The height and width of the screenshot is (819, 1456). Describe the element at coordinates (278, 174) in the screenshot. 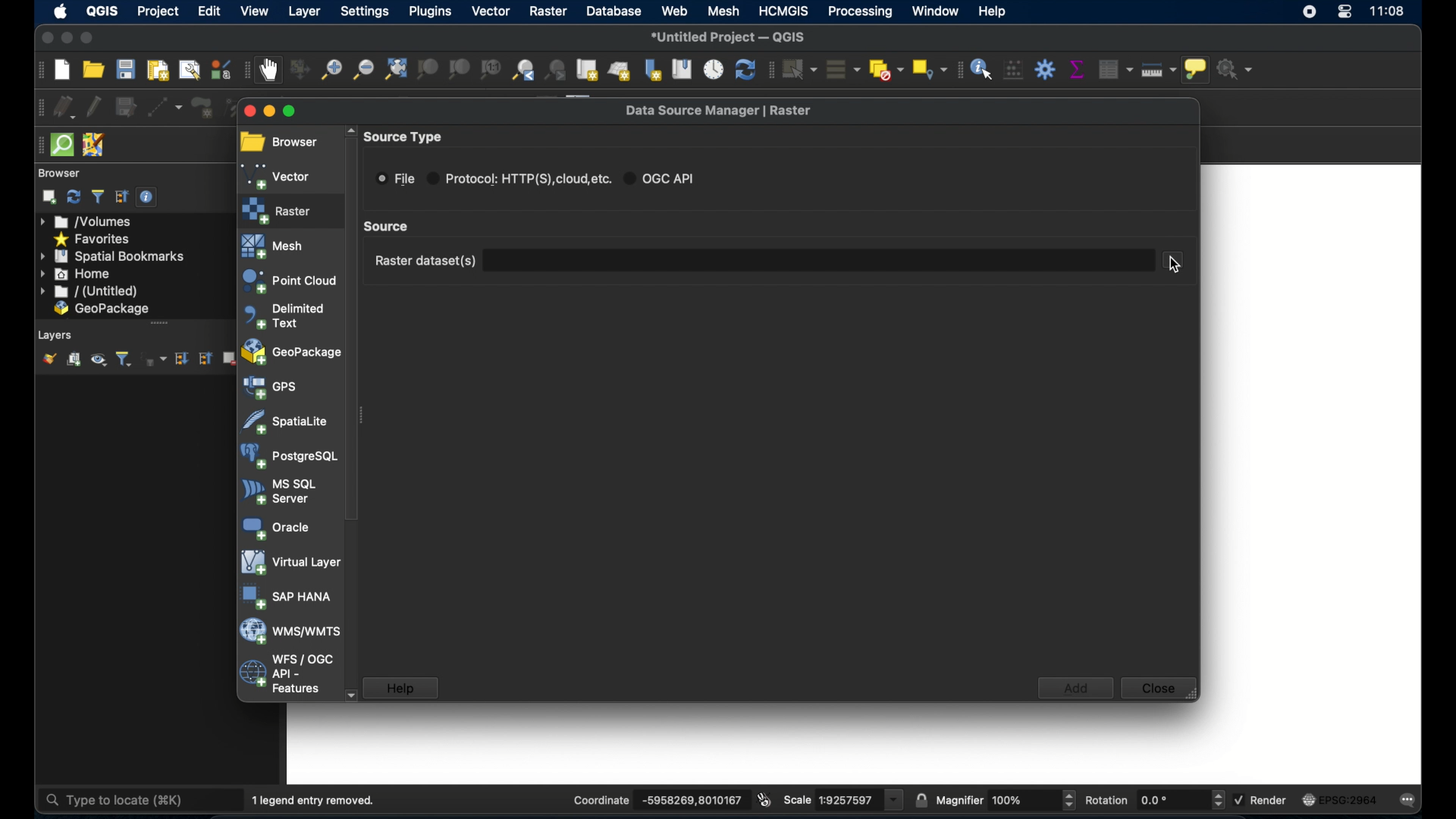

I see `vector` at that location.